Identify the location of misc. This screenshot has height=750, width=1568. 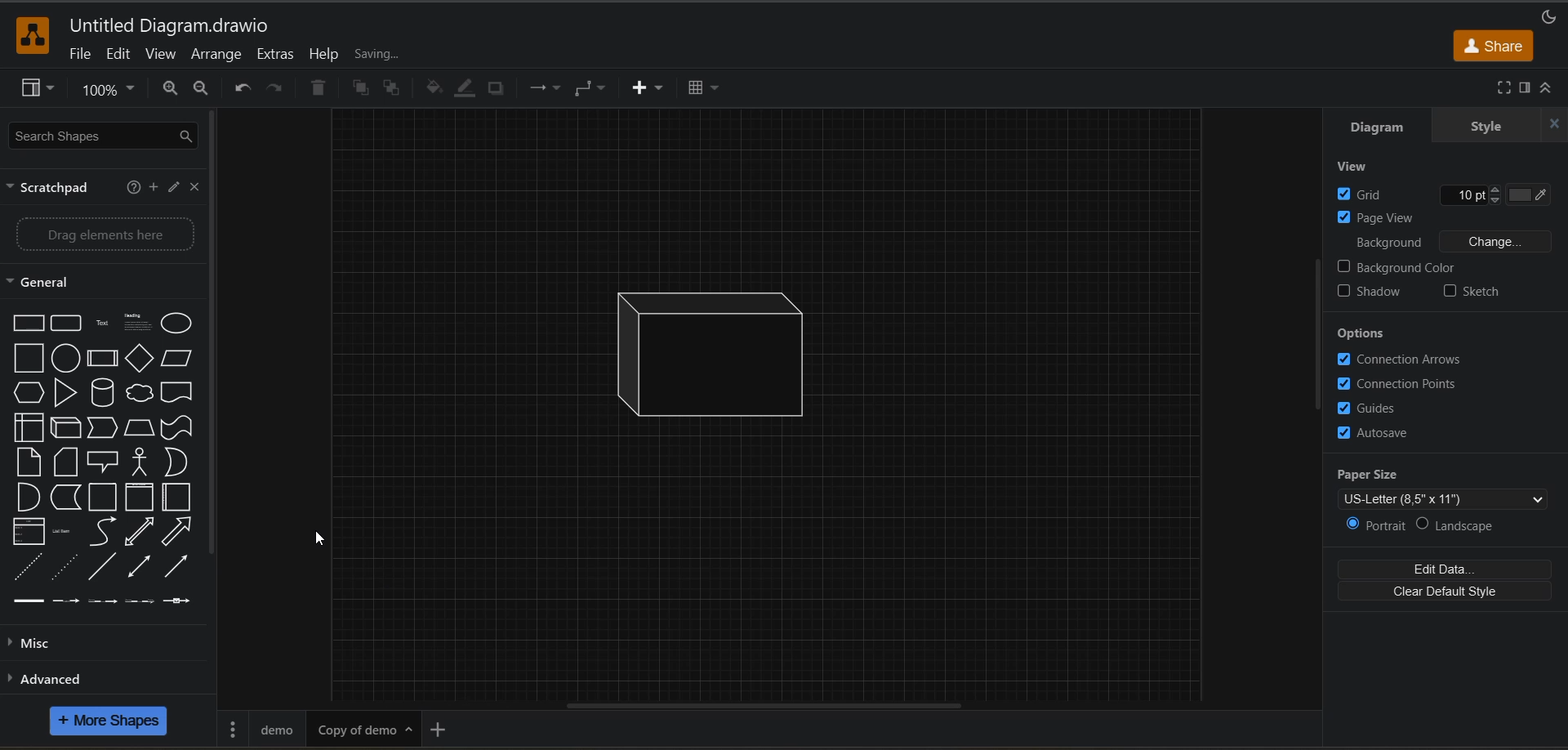
(42, 643).